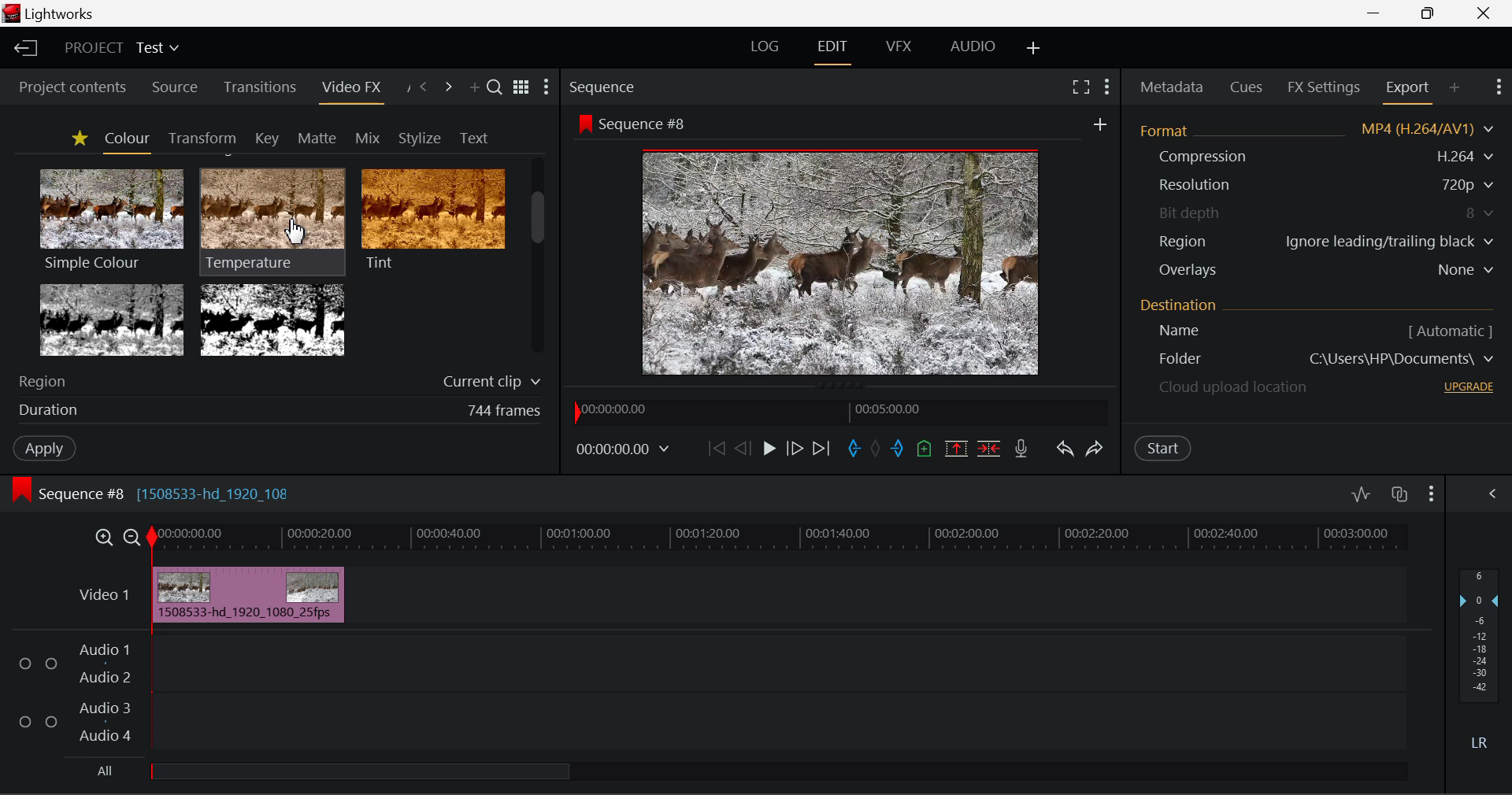 Image resolution: width=1512 pixels, height=795 pixels. Describe the element at coordinates (625, 449) in the screenshot. I see `00:00:00.00` at that location.